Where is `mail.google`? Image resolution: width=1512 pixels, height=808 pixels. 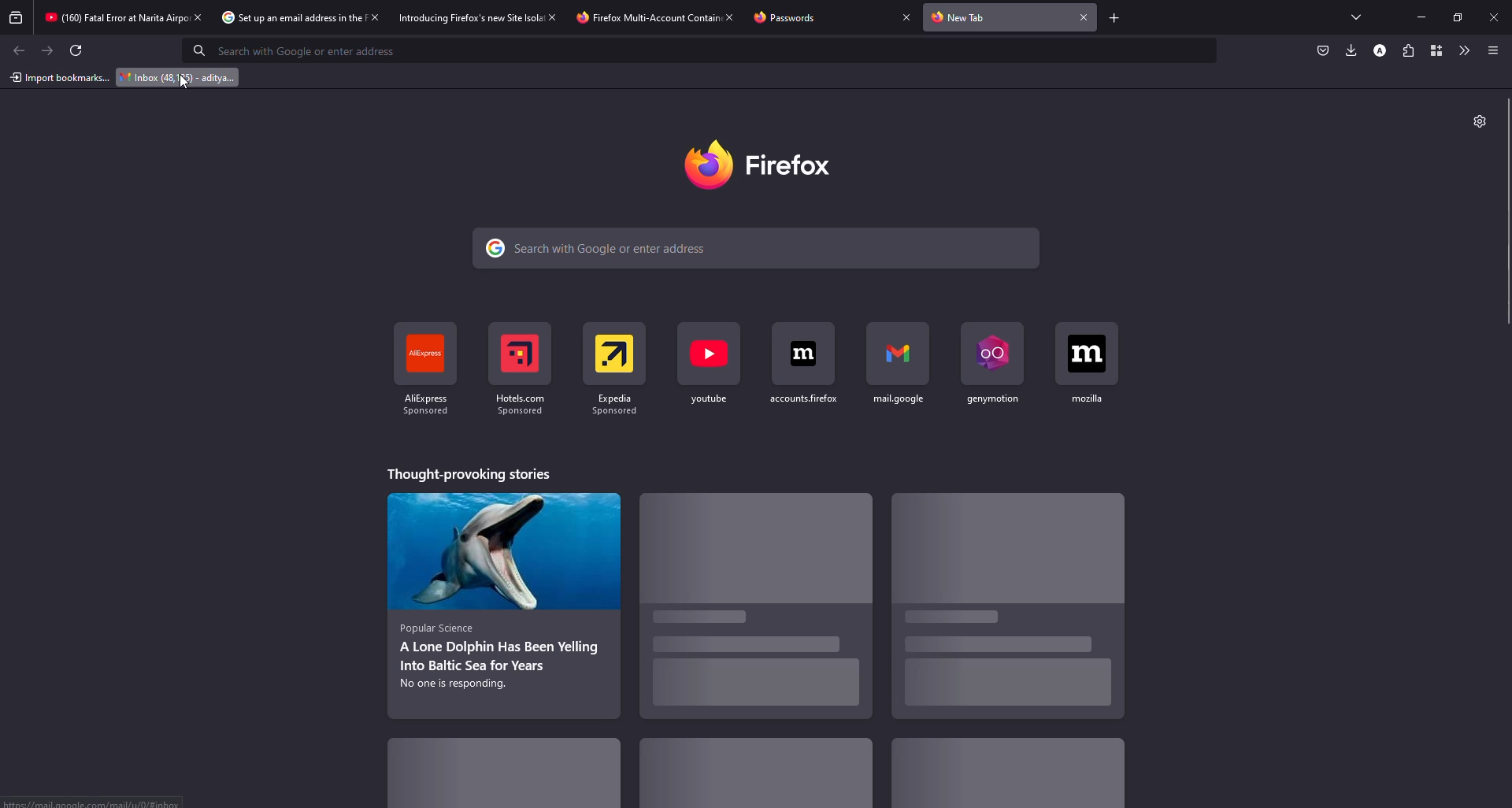 mail.google is located at coordinates (896, 398).